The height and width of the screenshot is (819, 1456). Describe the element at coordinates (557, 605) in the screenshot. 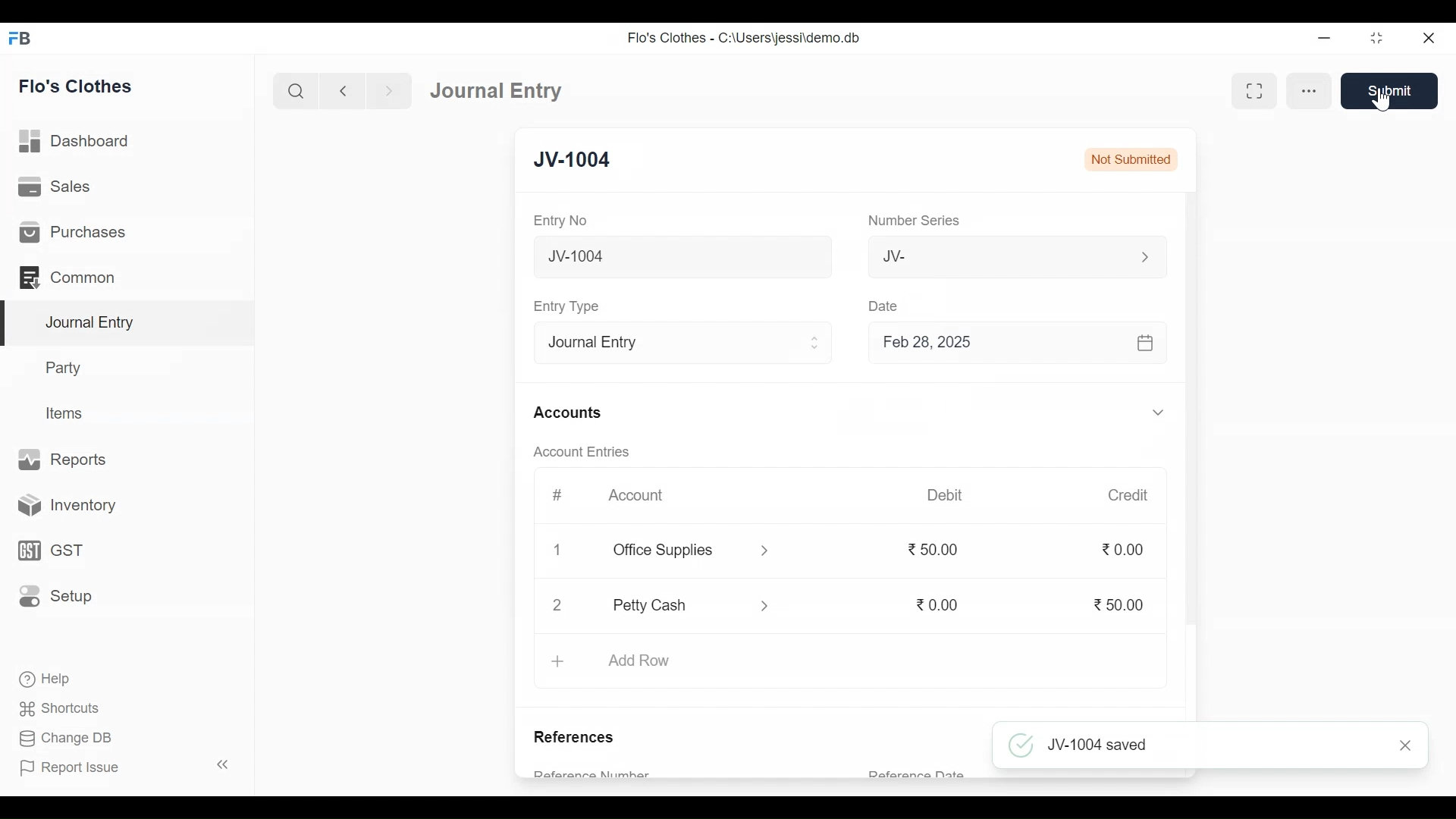

I see `Close ` at that location.